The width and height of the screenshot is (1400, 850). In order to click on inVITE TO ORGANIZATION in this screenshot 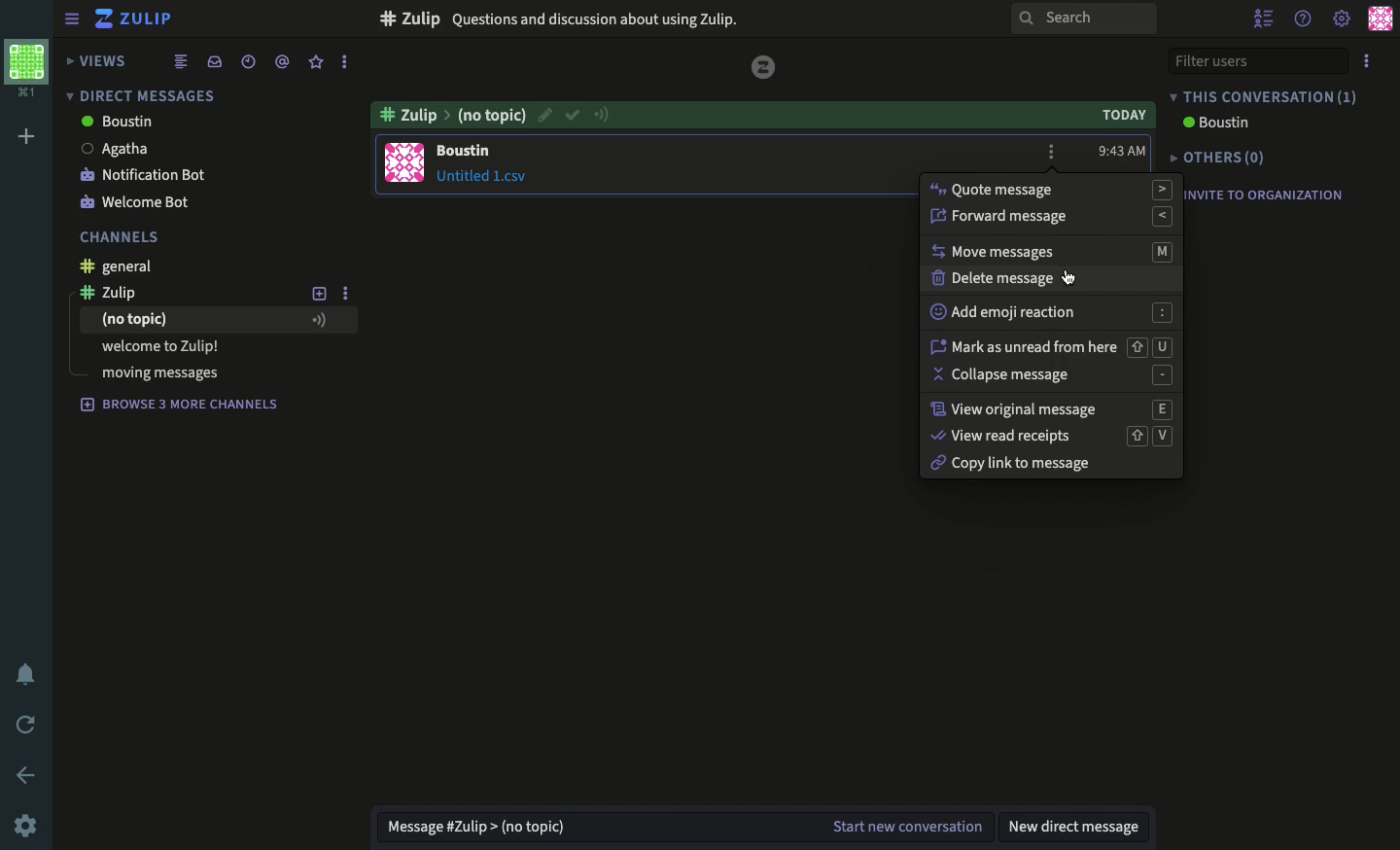, I will do `click(1274, 198)`.